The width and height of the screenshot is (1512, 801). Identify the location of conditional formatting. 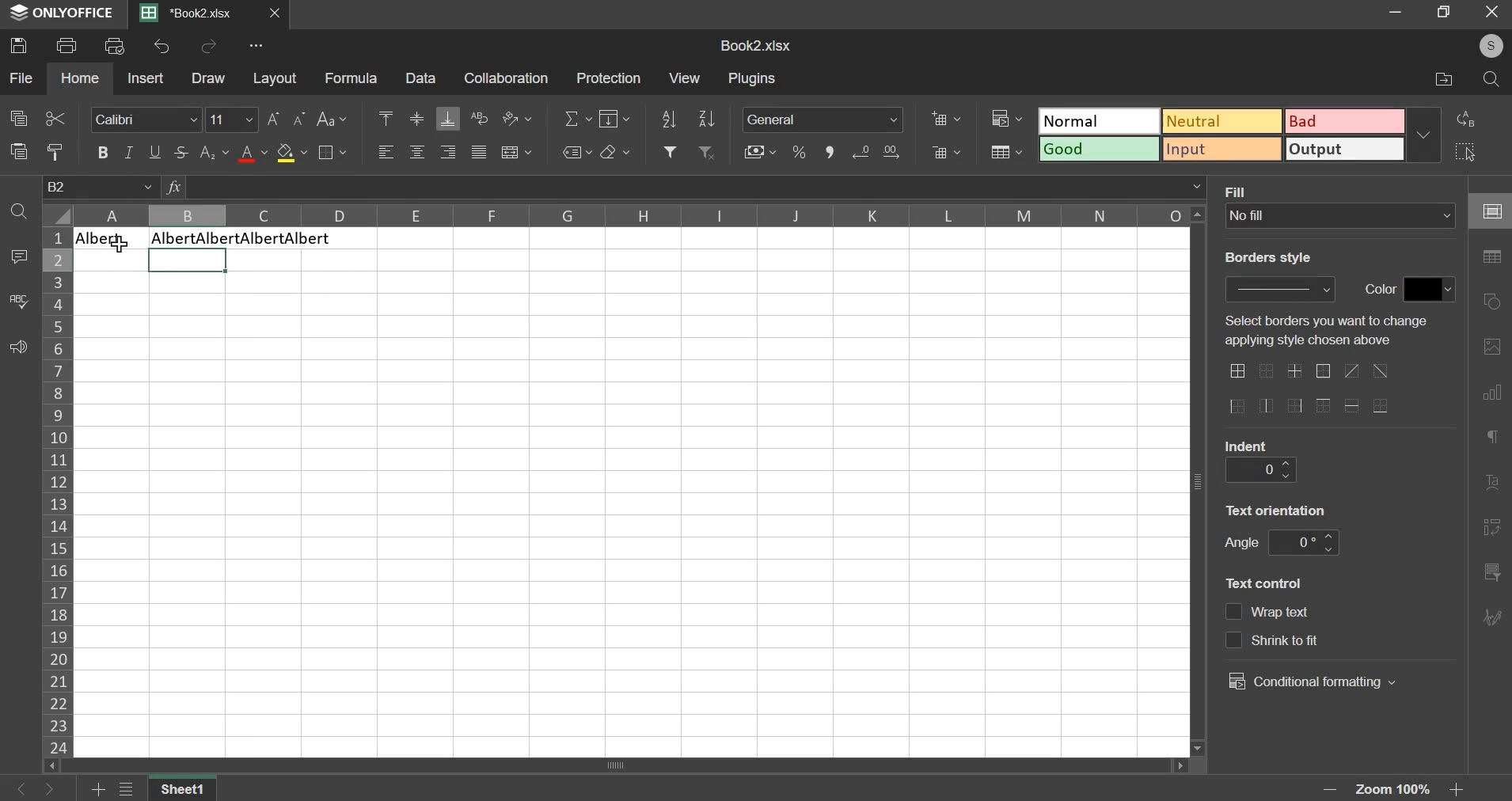
(1006, 116).